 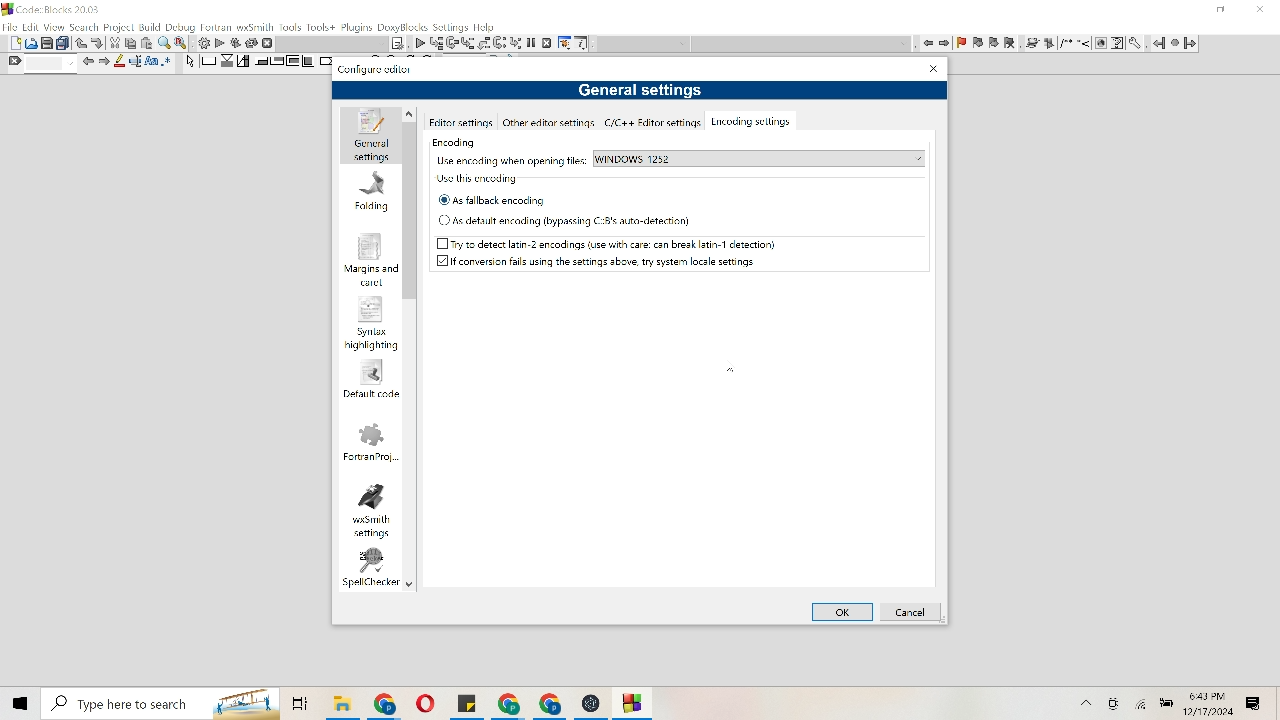 I want to click on Default code, so click(x=370, y=377).